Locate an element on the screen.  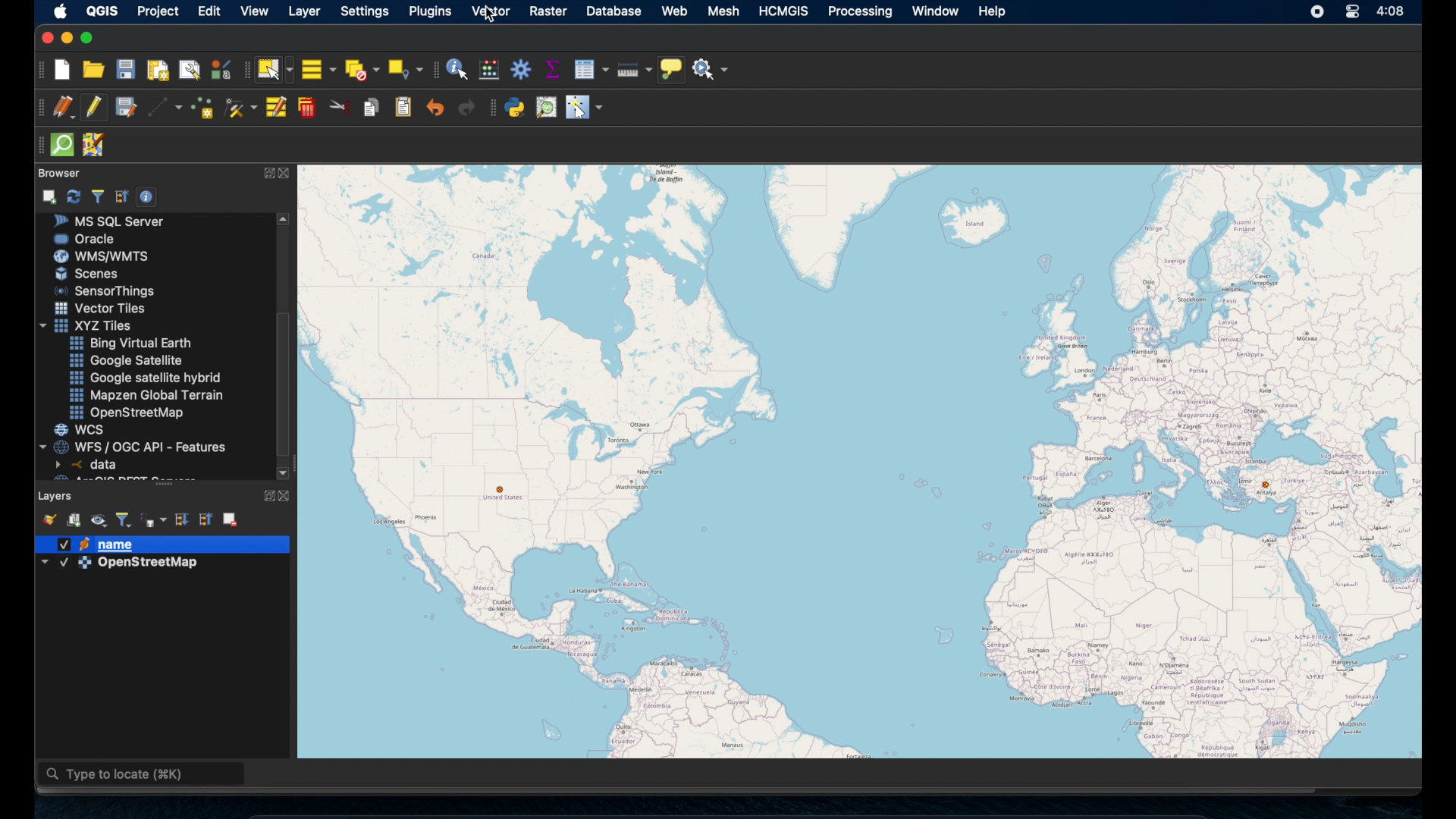
vector tiles is located at coordinates (101, 308).